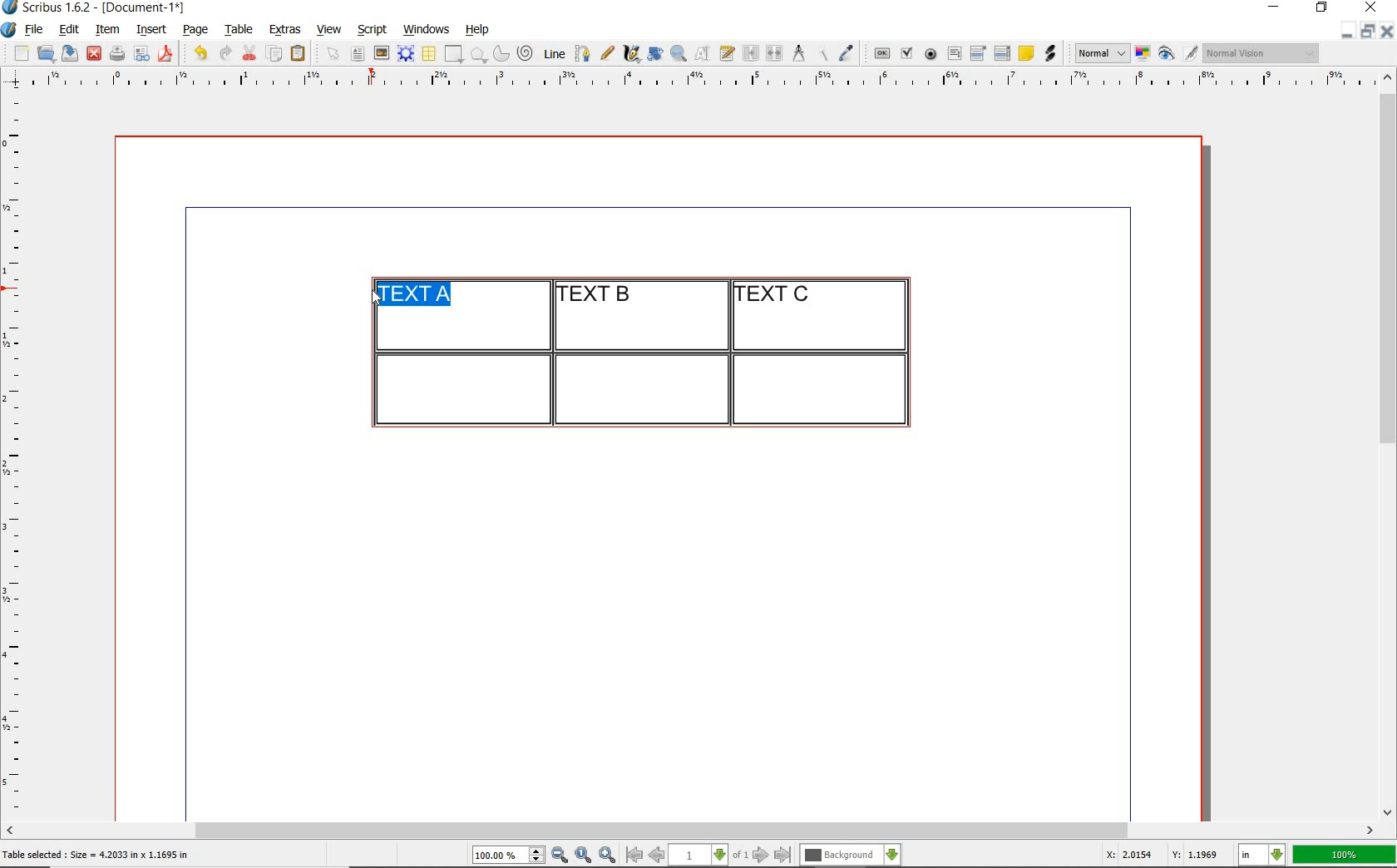 The width and height of the screenshot is (1397, 868). I want to click on scrollbar, so click(1389, 443).